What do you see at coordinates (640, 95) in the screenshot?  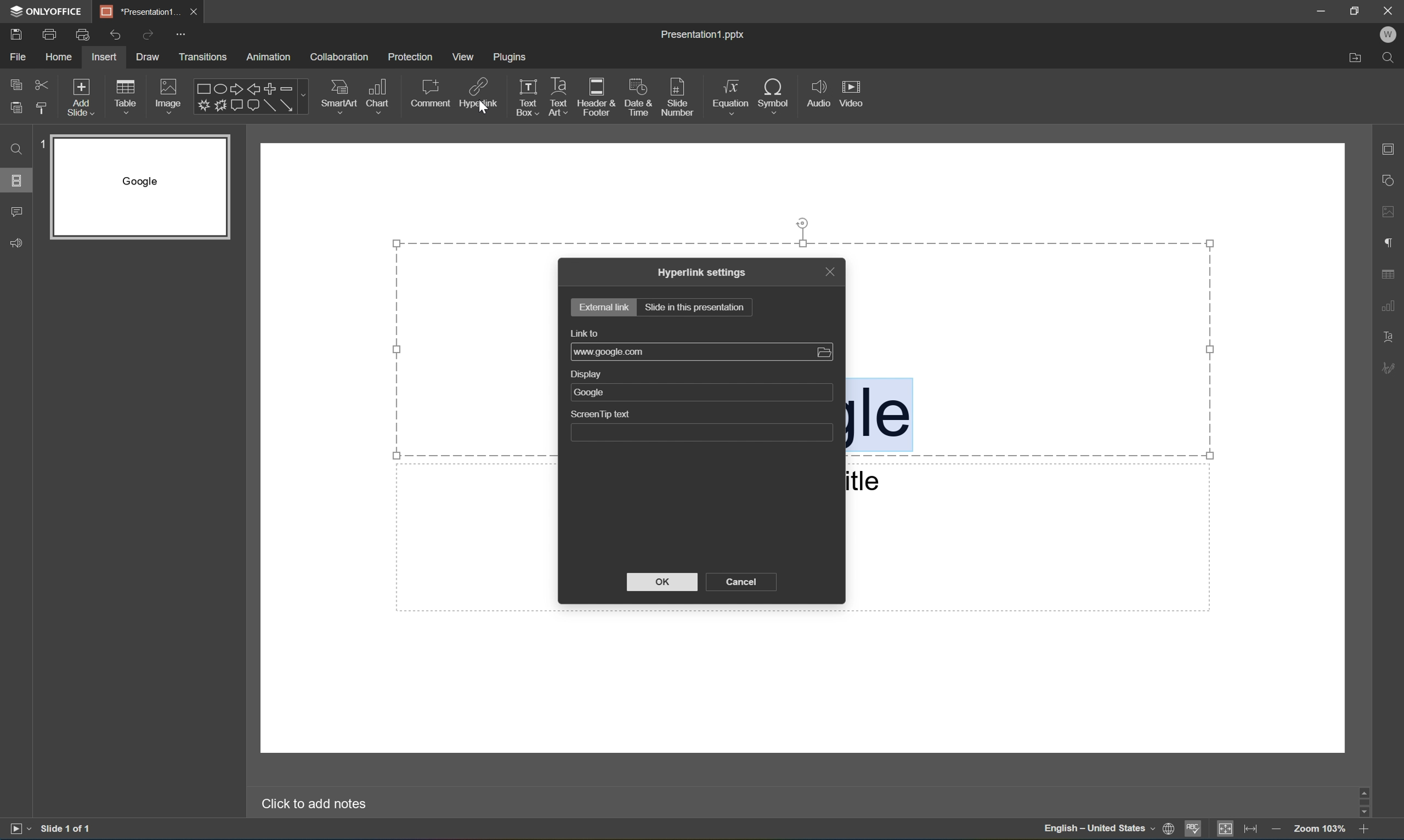 I see `Date and time` at bounding box center [640, 95].